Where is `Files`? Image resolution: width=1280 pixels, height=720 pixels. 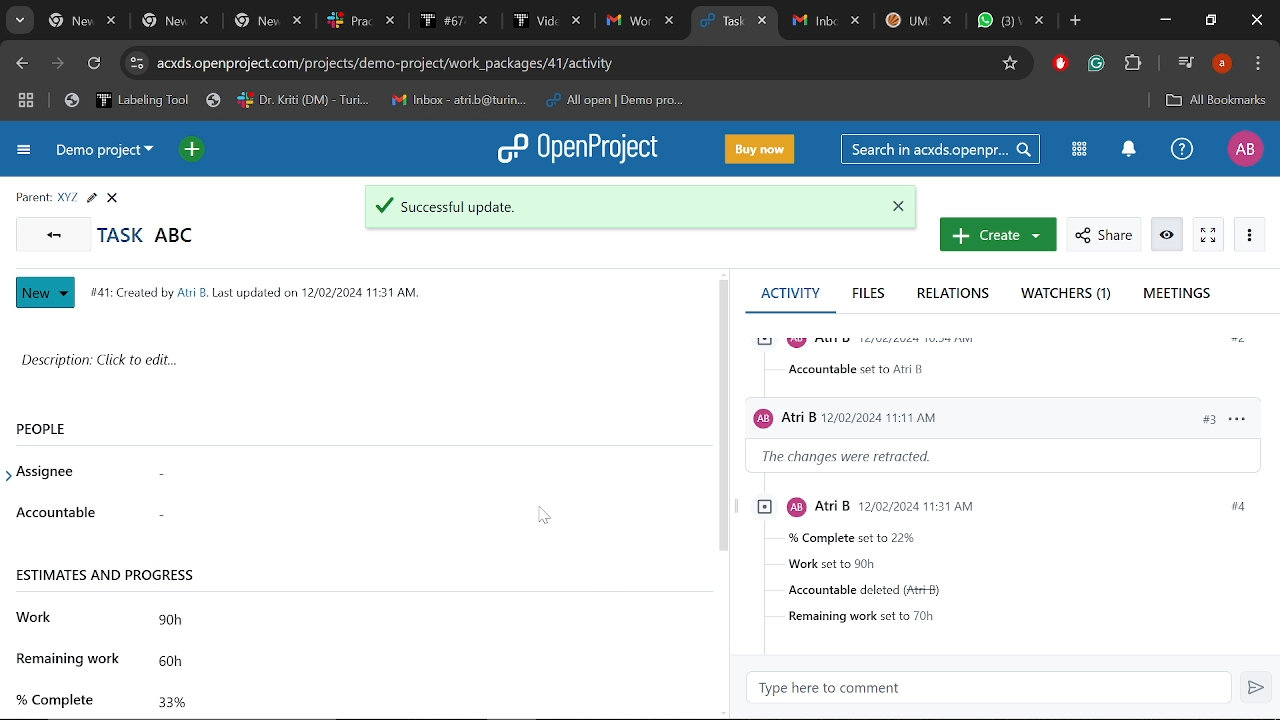 Files is located at coordinates (870, 295).